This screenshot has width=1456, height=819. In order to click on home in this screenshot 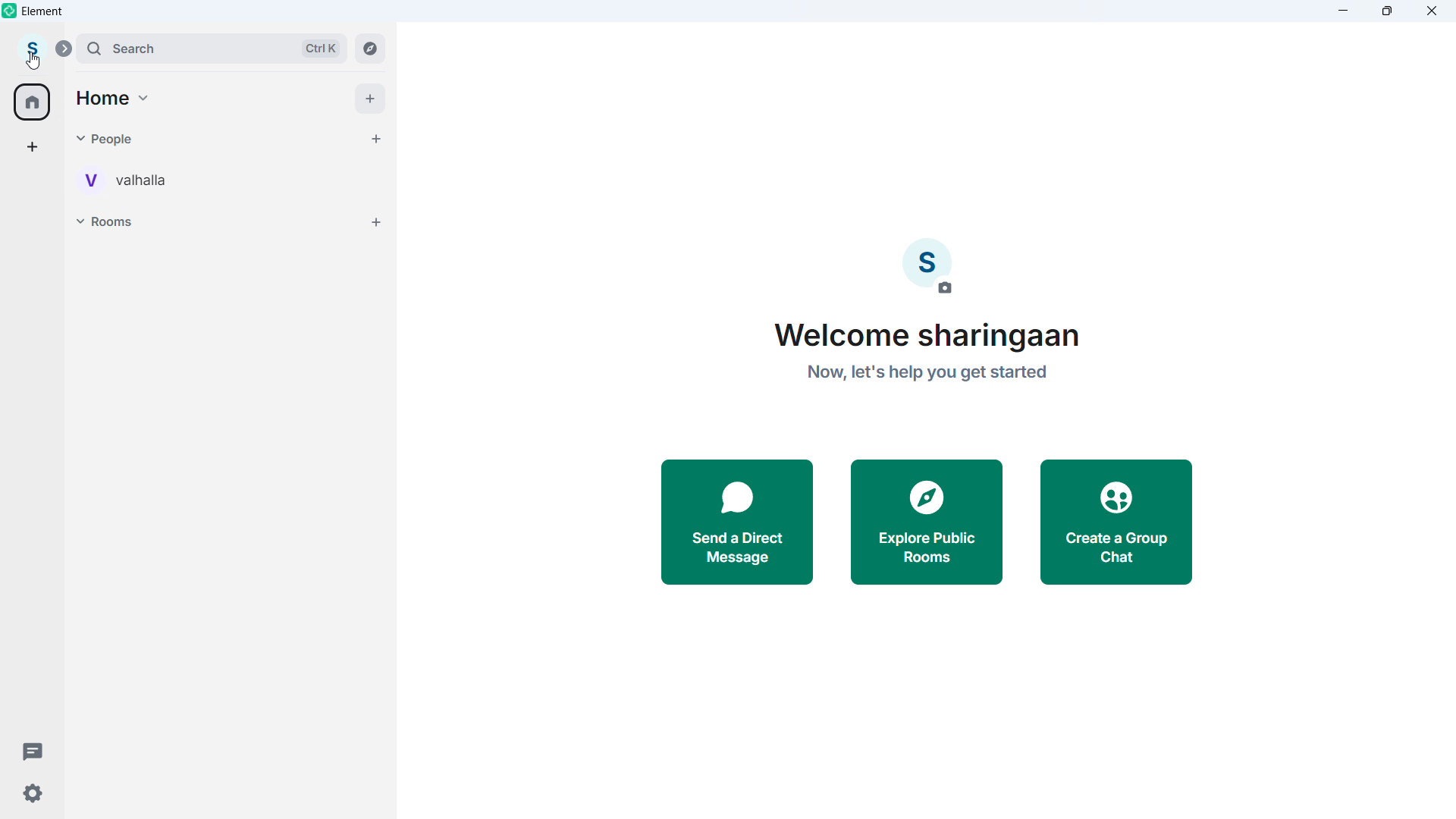, I will do `click(33, 102)`.